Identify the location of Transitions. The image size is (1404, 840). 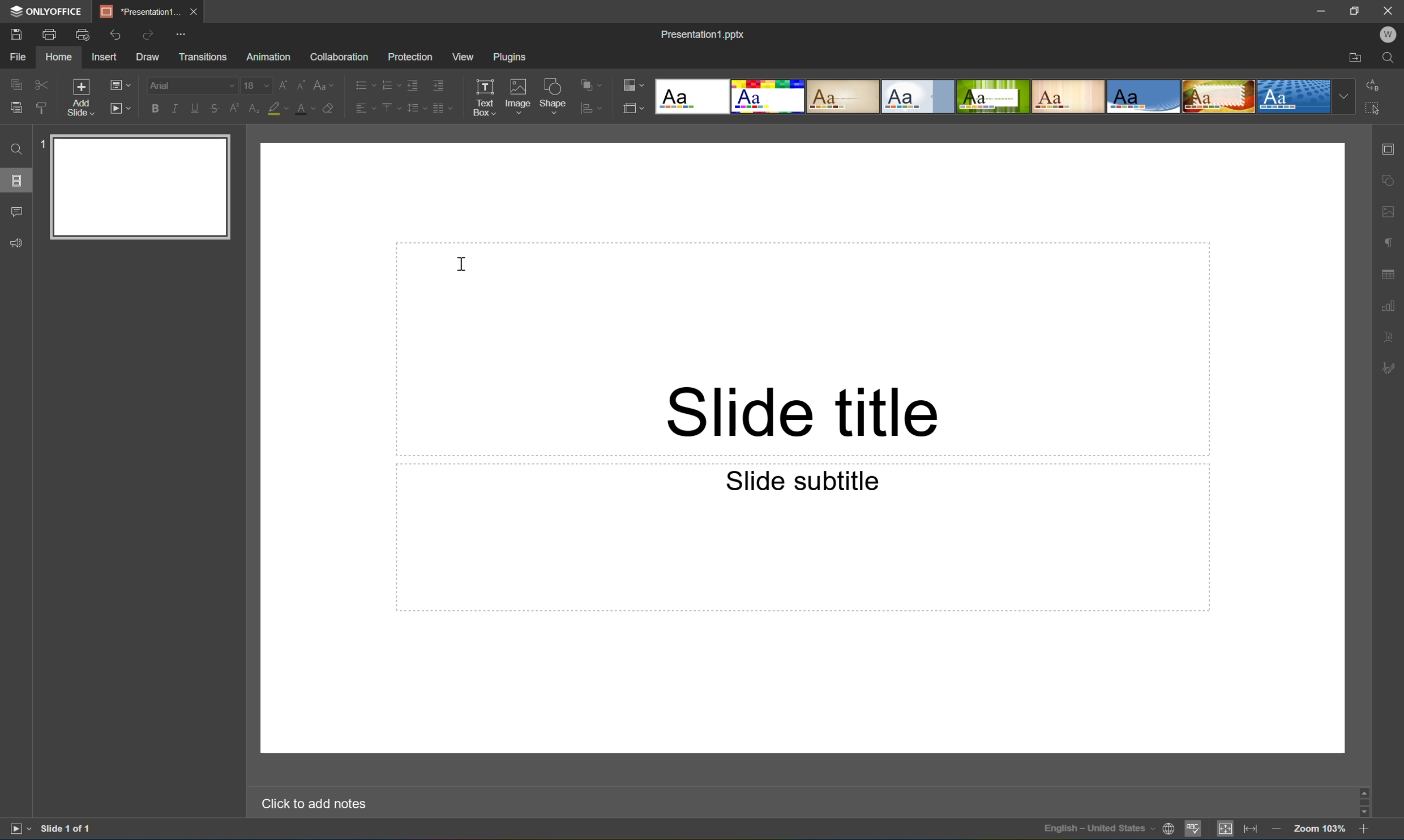
(204, 57).